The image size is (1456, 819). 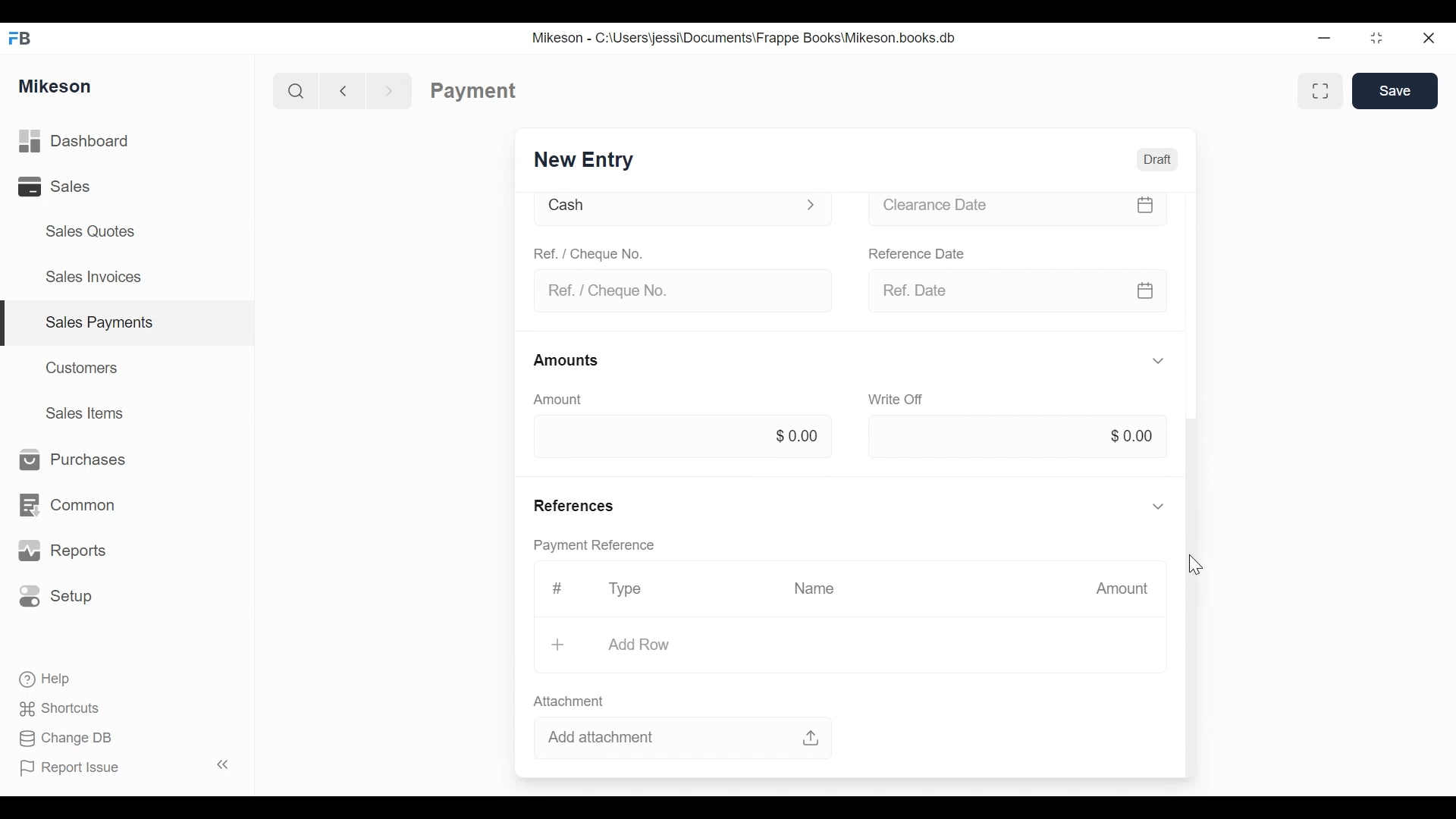 I want to click on draft, so click(x=1163, y=160).